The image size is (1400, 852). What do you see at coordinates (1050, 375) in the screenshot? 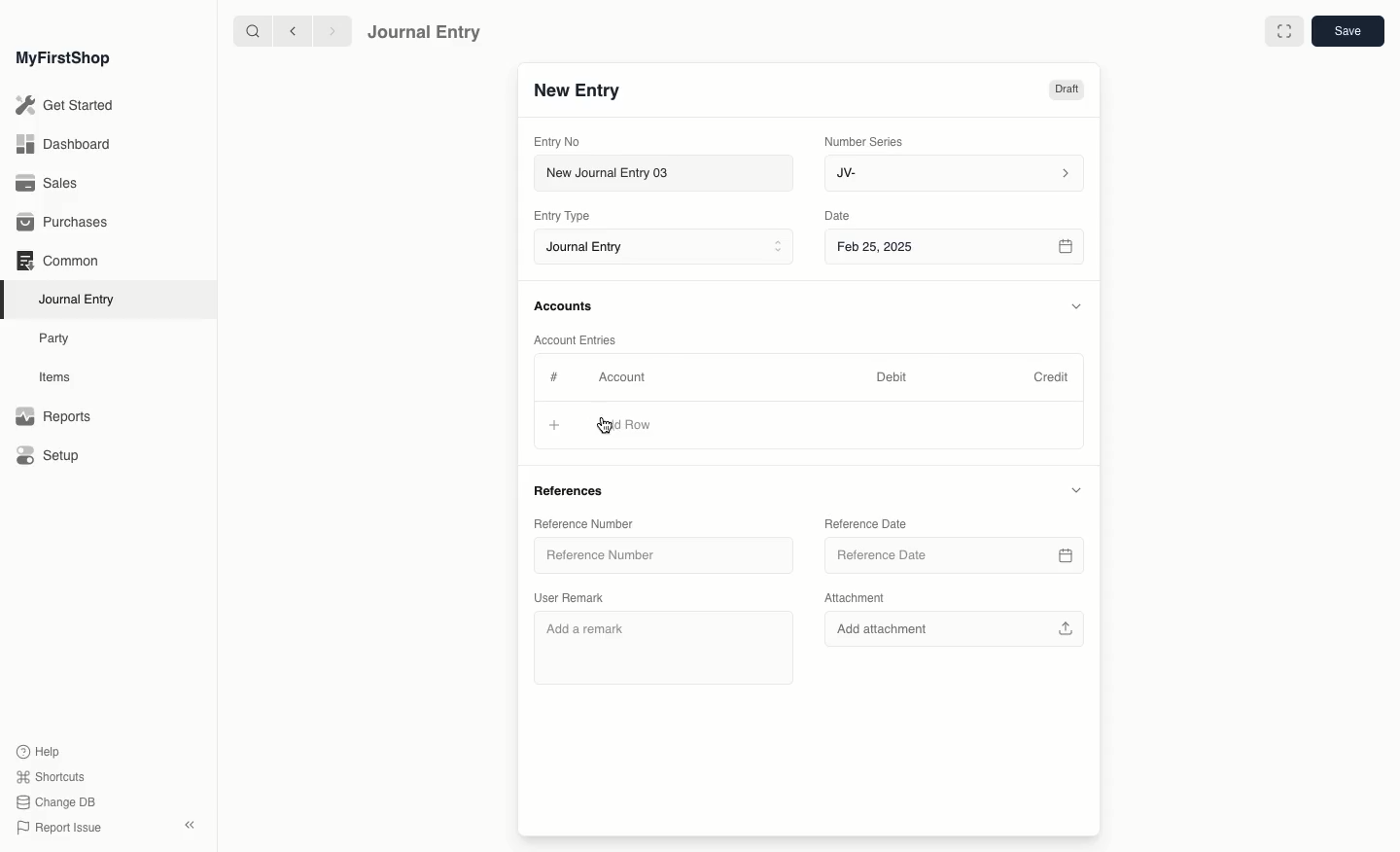
I see `Credit` at bounding box center [1050, 375].